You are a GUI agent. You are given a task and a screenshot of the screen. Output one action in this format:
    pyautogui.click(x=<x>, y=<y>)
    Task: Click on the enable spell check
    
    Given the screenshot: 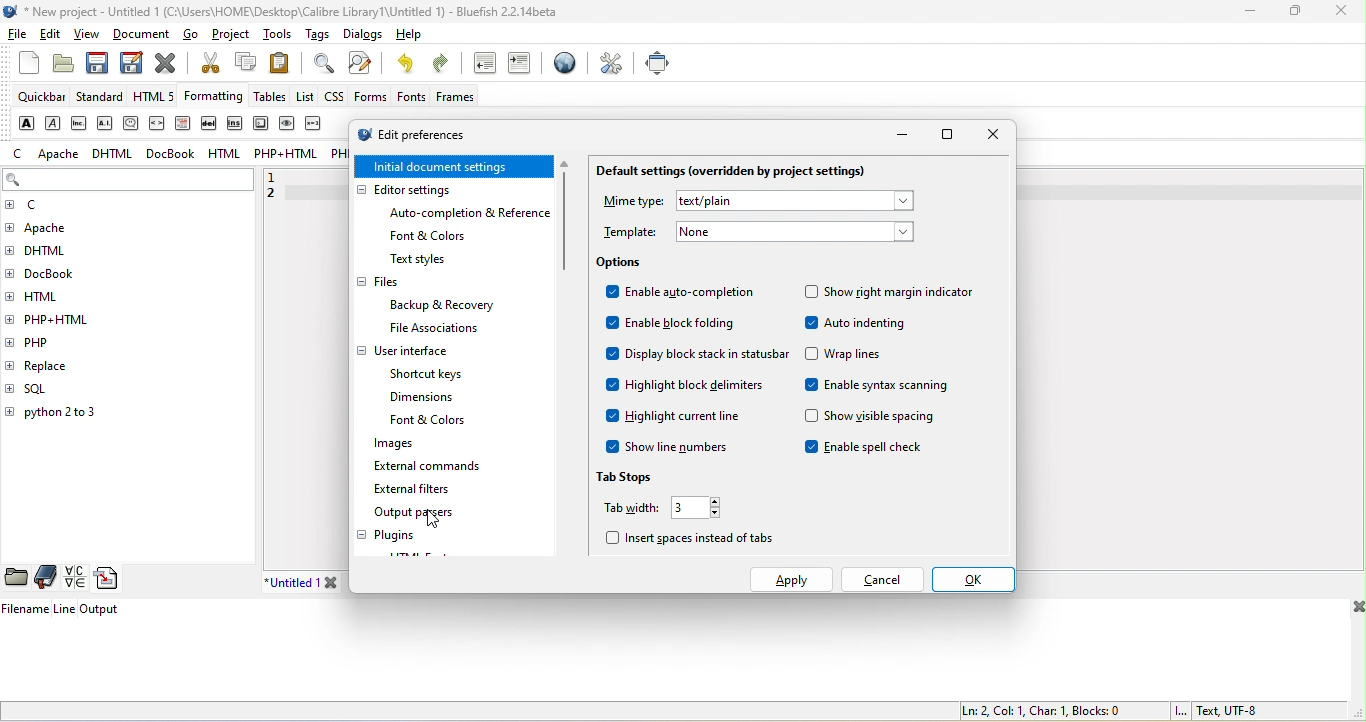 What is the action you would take?
    pyautogui.click(x=875, y=449)
    